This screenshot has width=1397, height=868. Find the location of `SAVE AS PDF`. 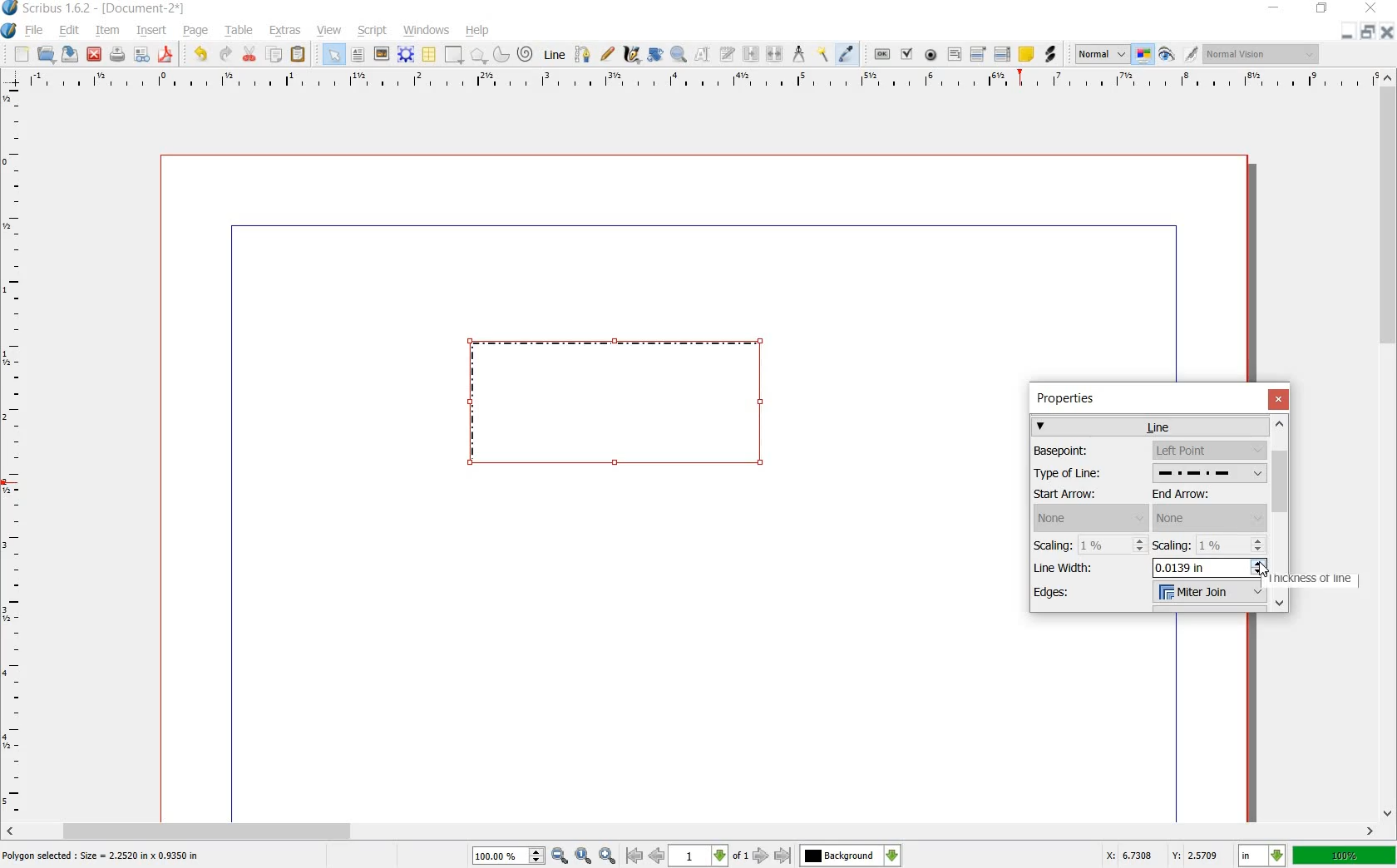

SAVE AS PDF is located at coordinates (168, 55).